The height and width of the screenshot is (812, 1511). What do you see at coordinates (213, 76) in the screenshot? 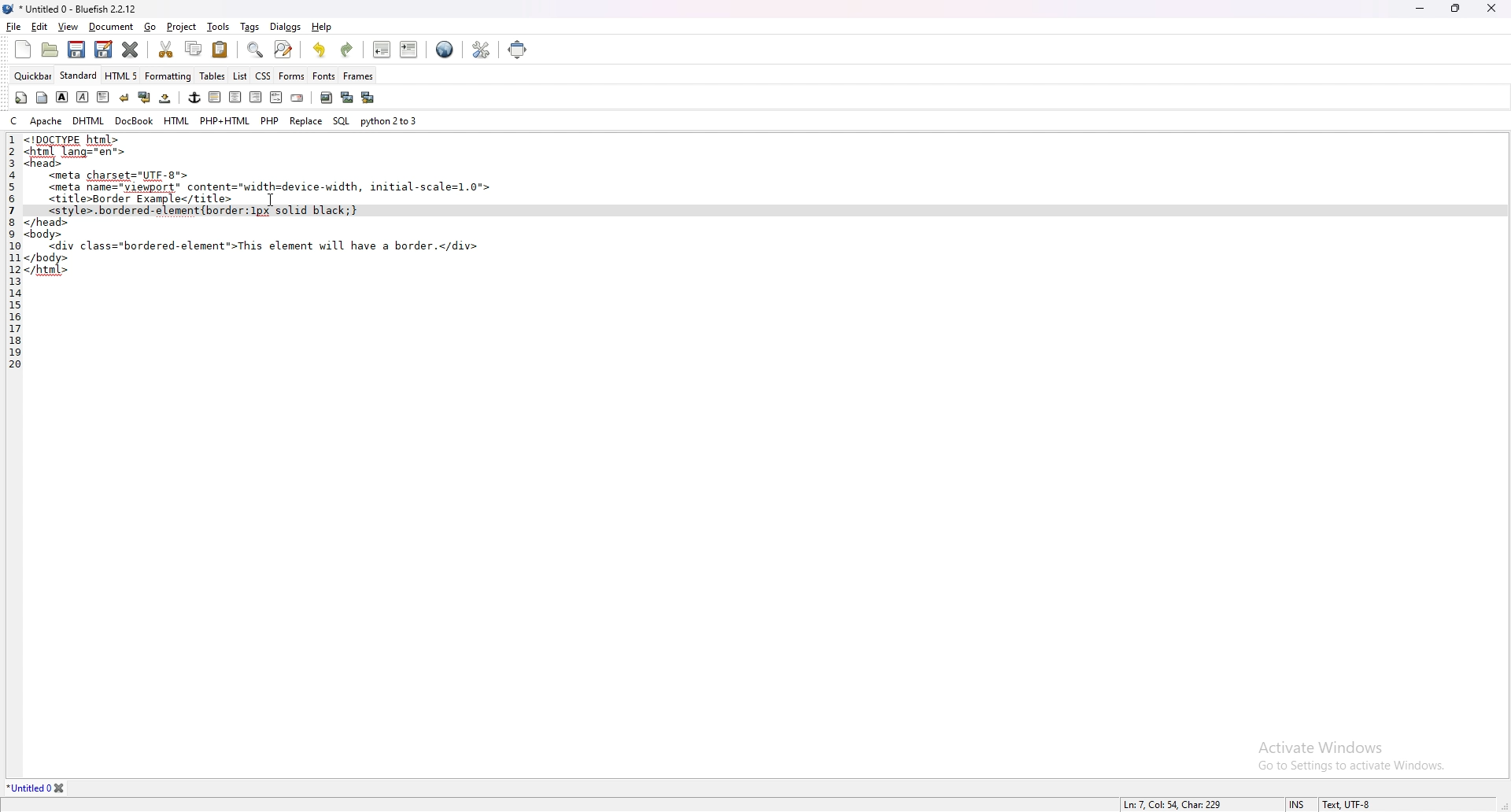
I see `tables` at bounding box center [213, 76].